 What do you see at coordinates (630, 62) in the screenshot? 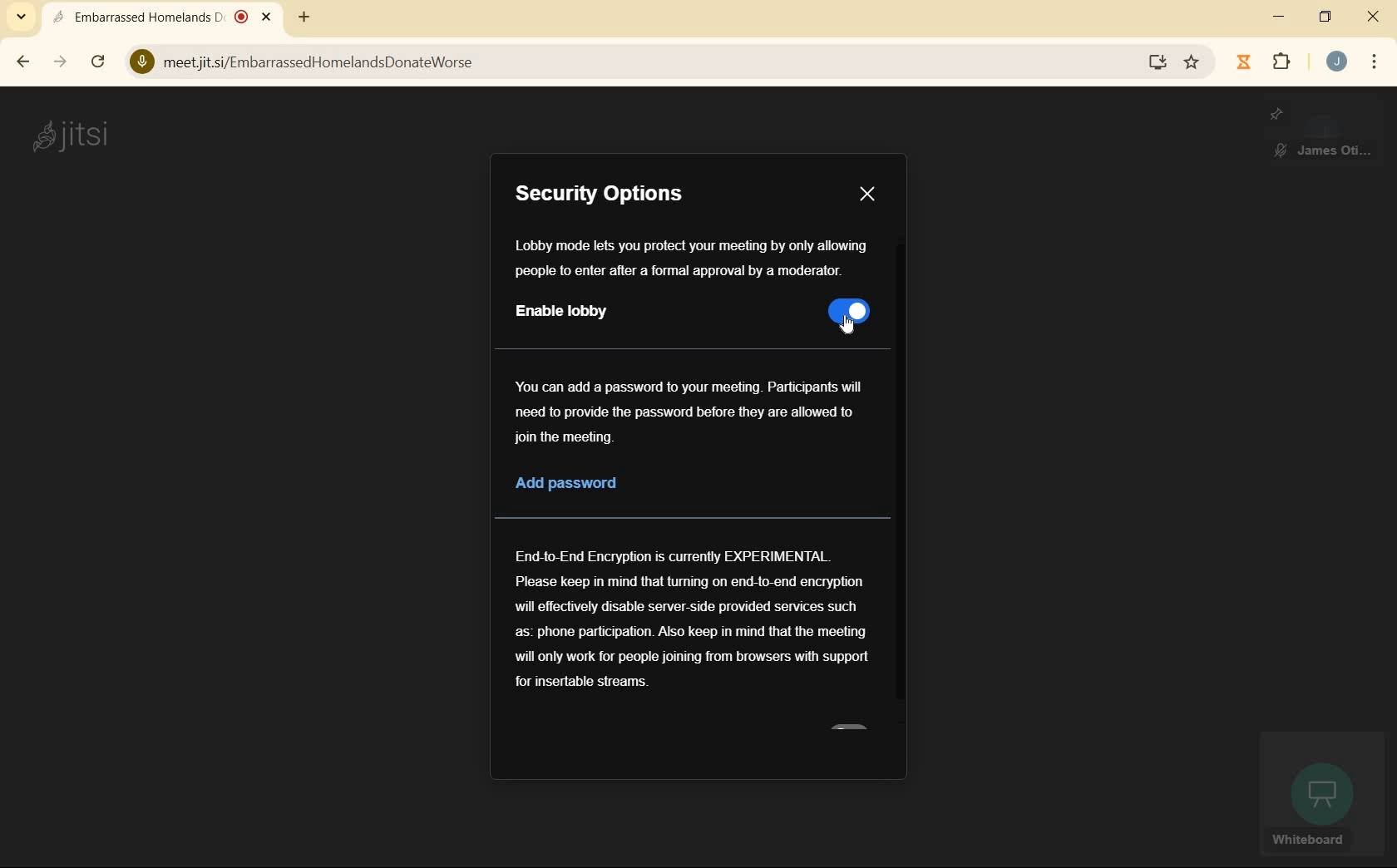
I see `address bar` at bounding box center [630, 62].